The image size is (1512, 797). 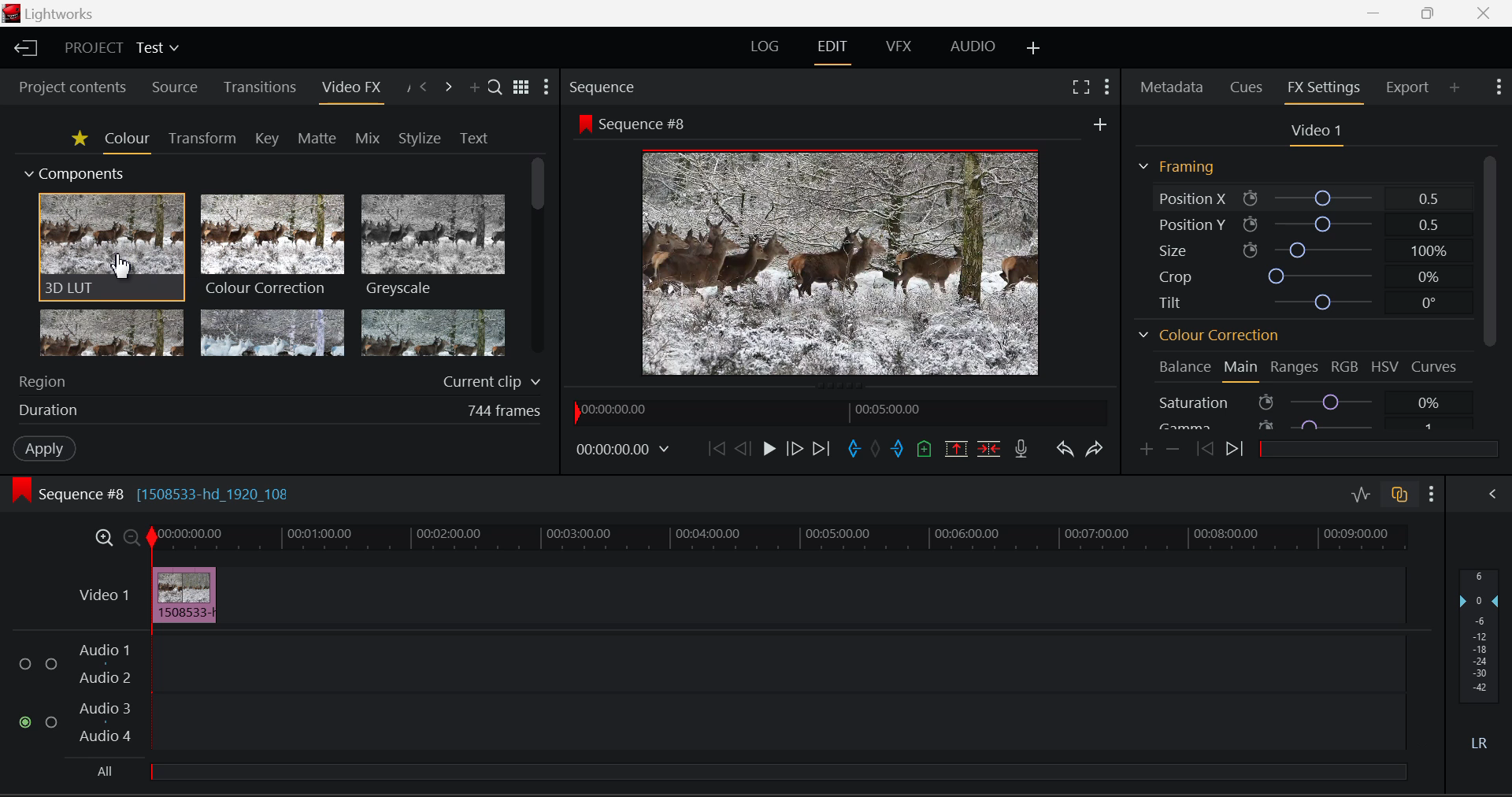 What do you see at coordinates (831, 50) in the screenshot?
I see `EDIT Layout` at bounding box center [831, 50].